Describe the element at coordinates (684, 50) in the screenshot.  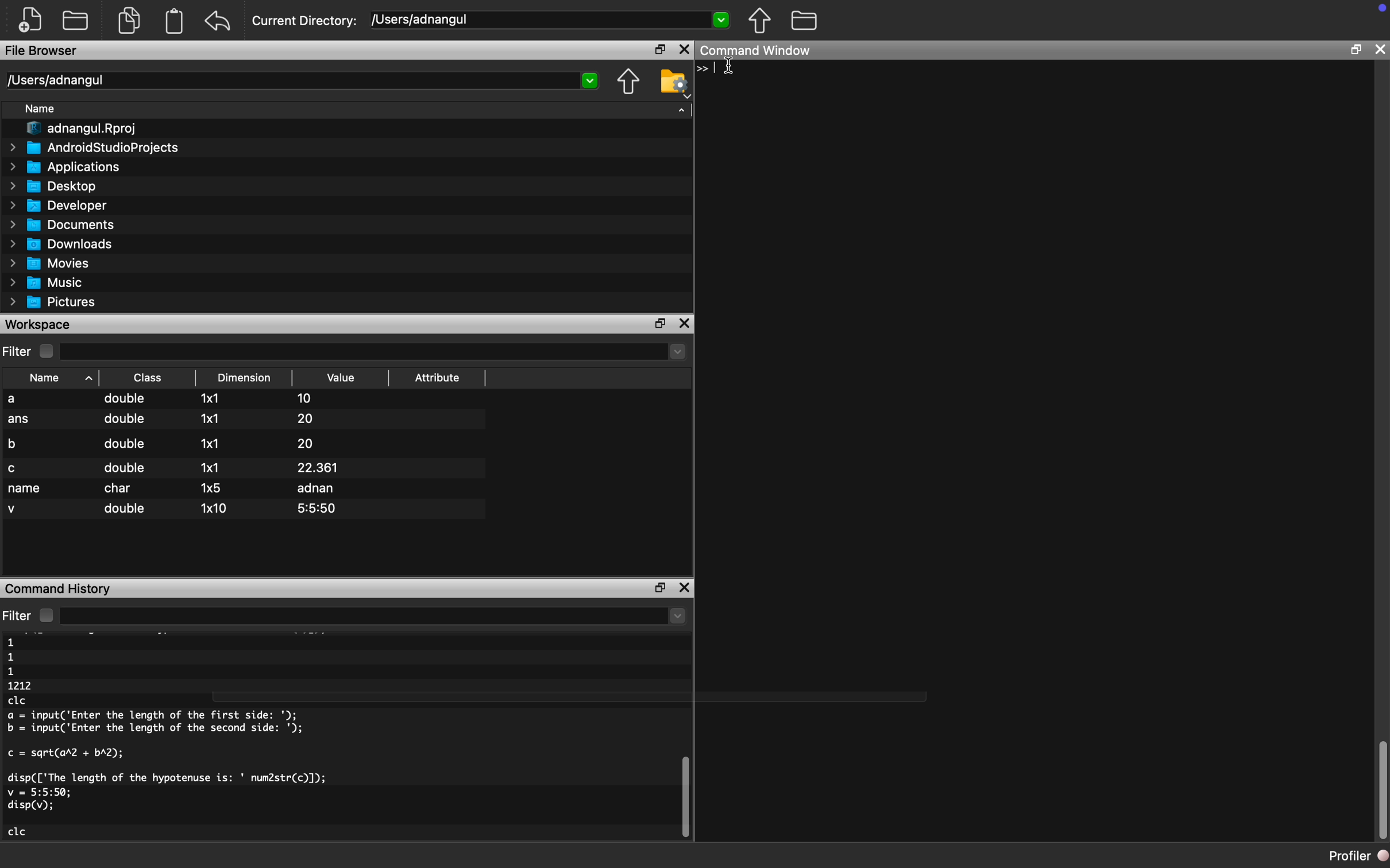
I see `Close` at that location.